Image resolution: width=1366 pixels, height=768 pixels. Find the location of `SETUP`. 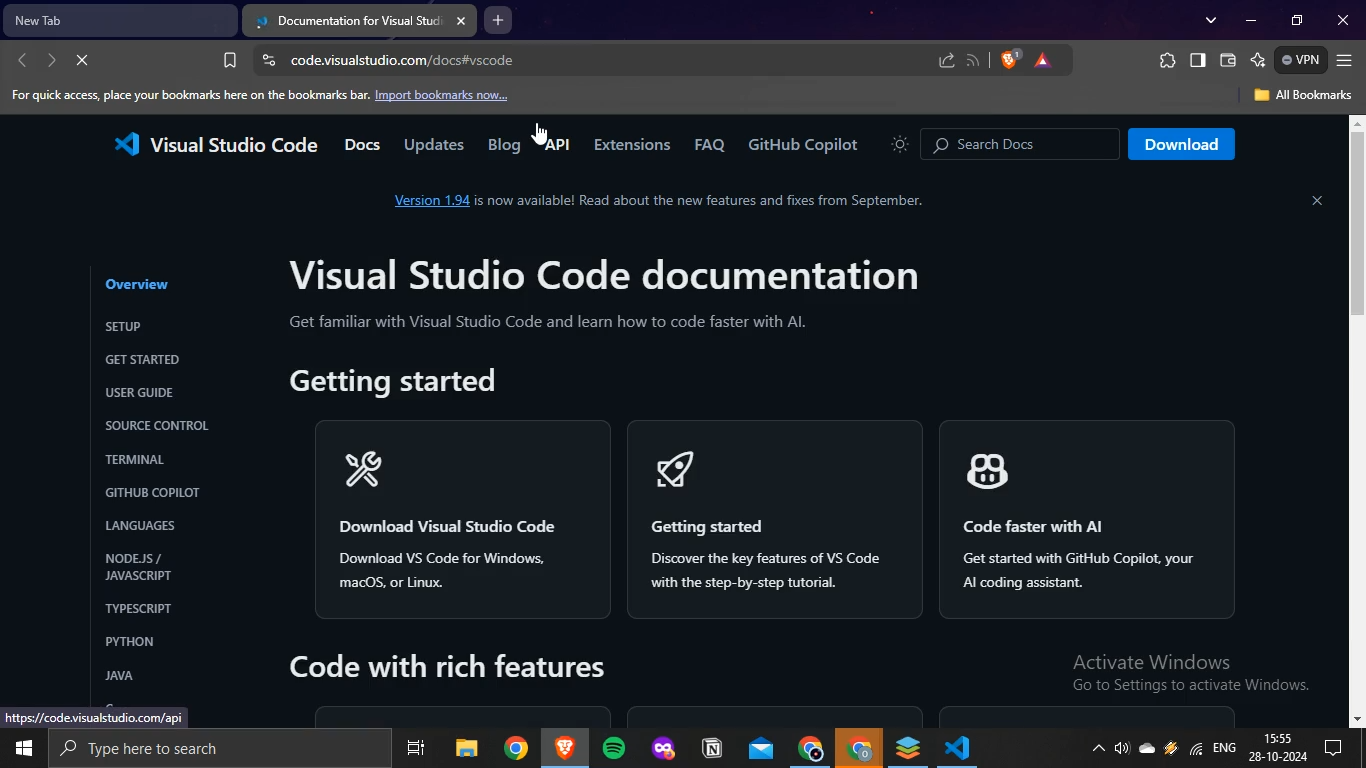

SETUP is located at coordinates (131, 323).